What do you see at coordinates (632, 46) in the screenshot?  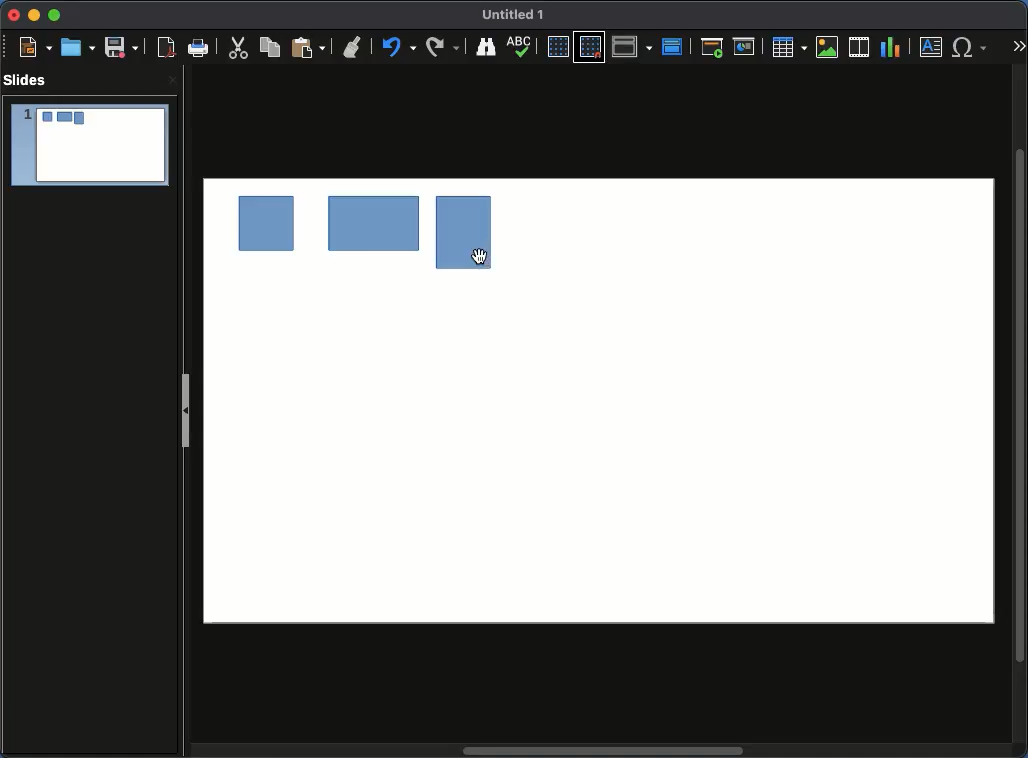 I see `Display views` at bounding box center [632, 46].